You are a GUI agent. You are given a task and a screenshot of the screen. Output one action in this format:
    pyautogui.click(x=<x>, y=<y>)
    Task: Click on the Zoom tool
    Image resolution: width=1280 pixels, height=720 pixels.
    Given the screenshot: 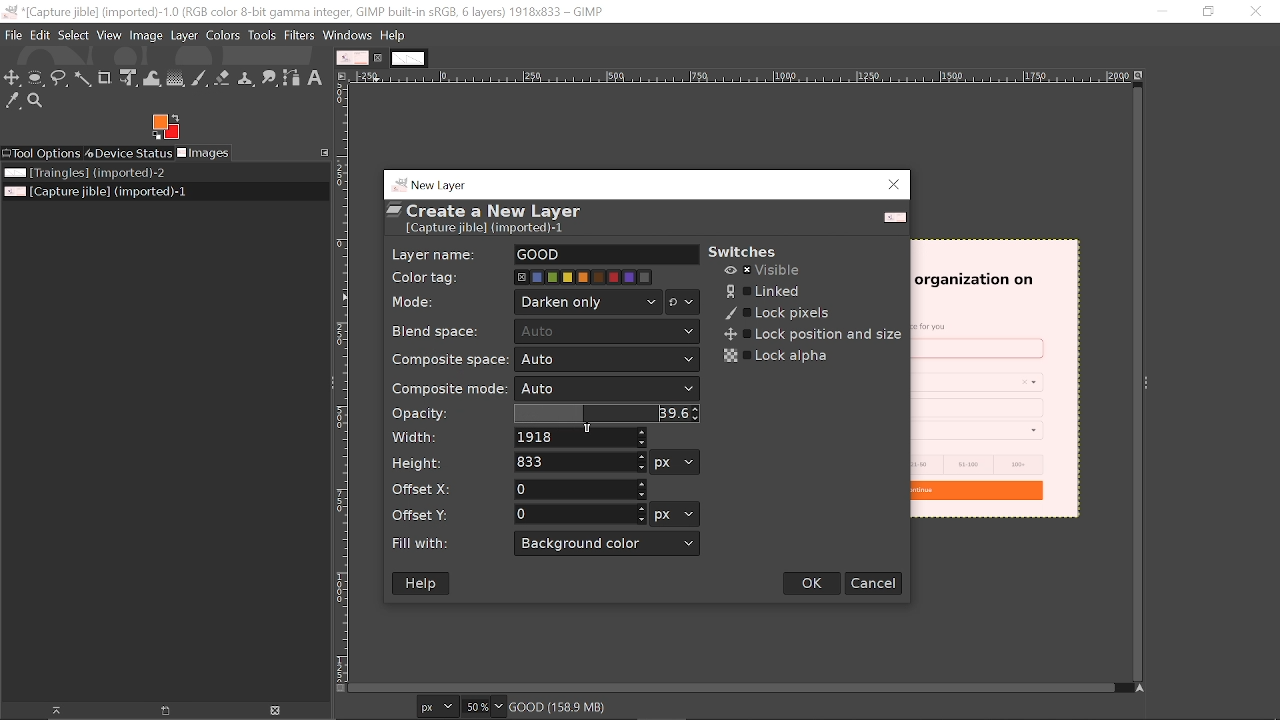 What is the action you would take?
    pyautogui.click(x=37, y=101)
    